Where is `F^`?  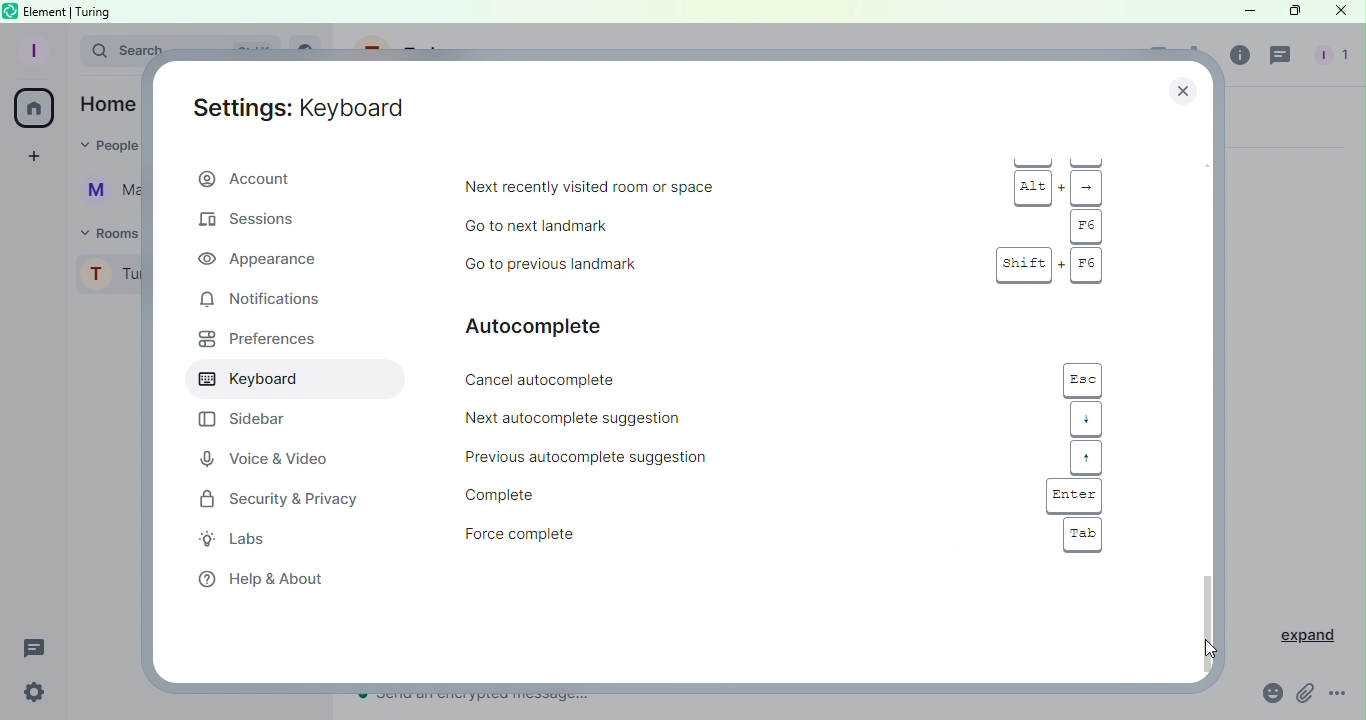
F^ is located at coordinates (1086, 225).